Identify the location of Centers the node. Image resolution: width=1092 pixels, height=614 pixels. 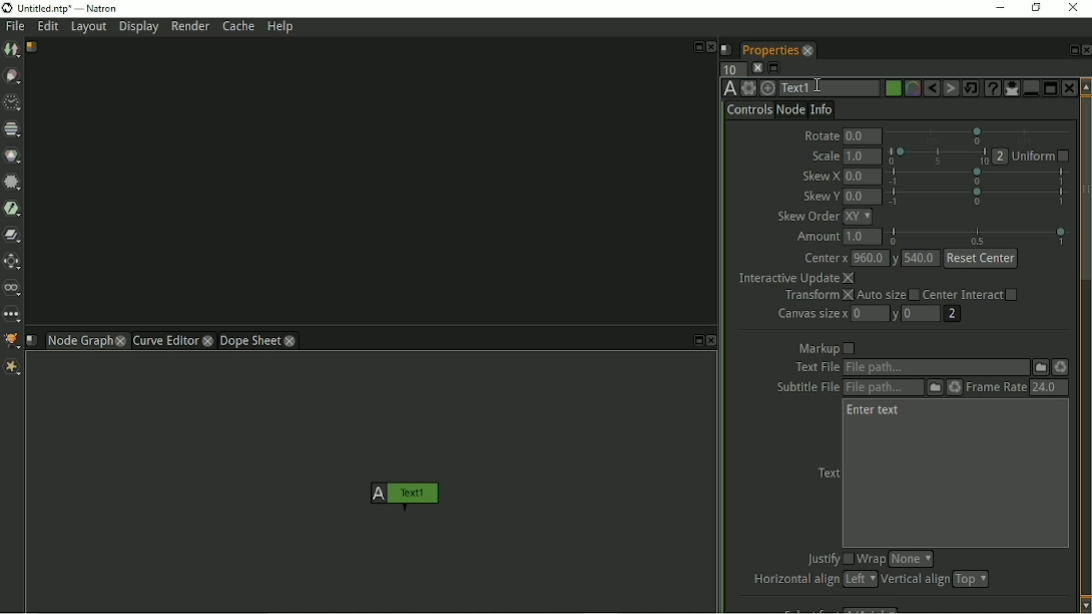
(767, 88).